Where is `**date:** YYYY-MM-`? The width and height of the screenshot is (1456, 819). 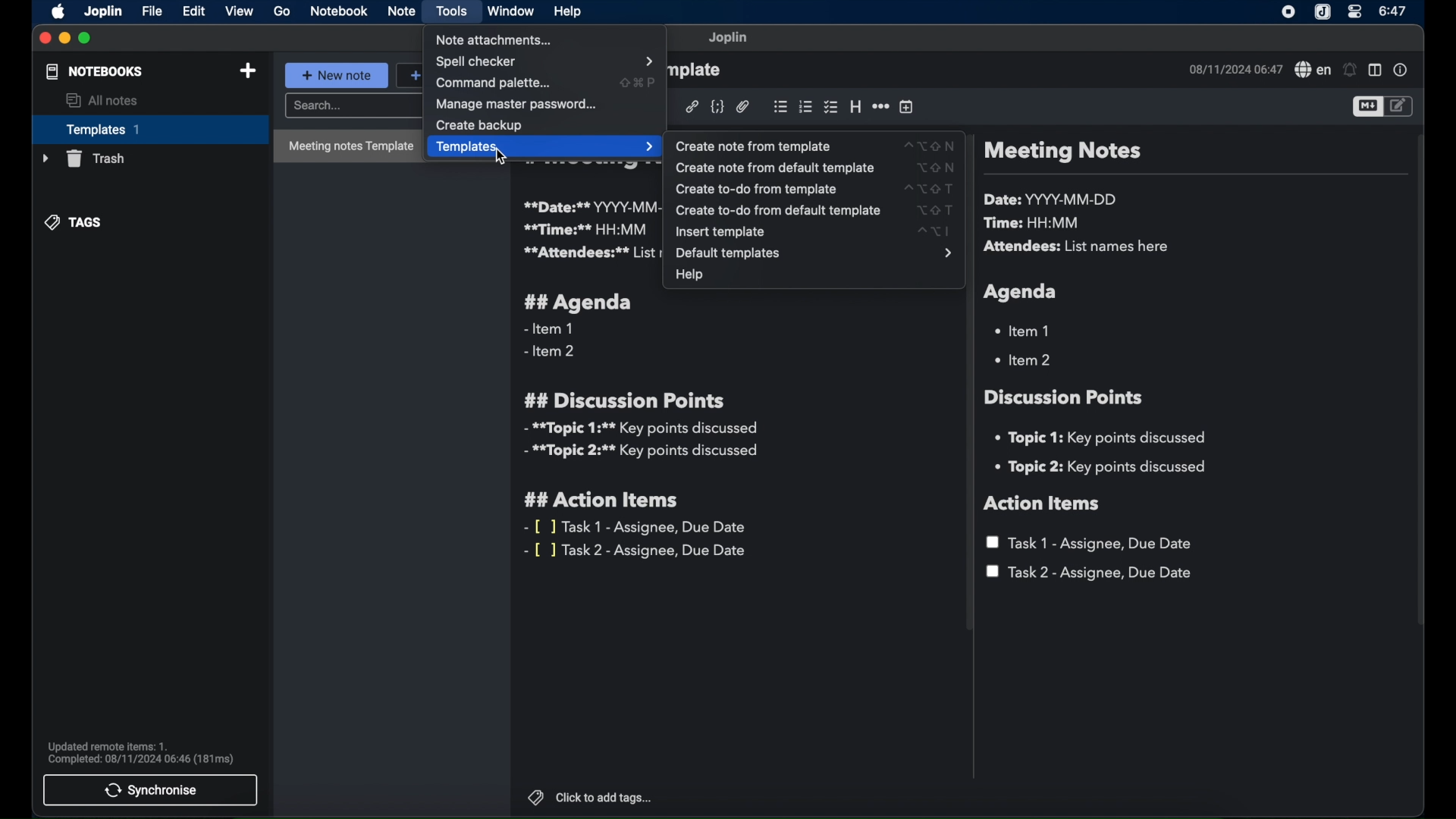
**date:** YYYY-MM- is located at coordinates (589, 206).